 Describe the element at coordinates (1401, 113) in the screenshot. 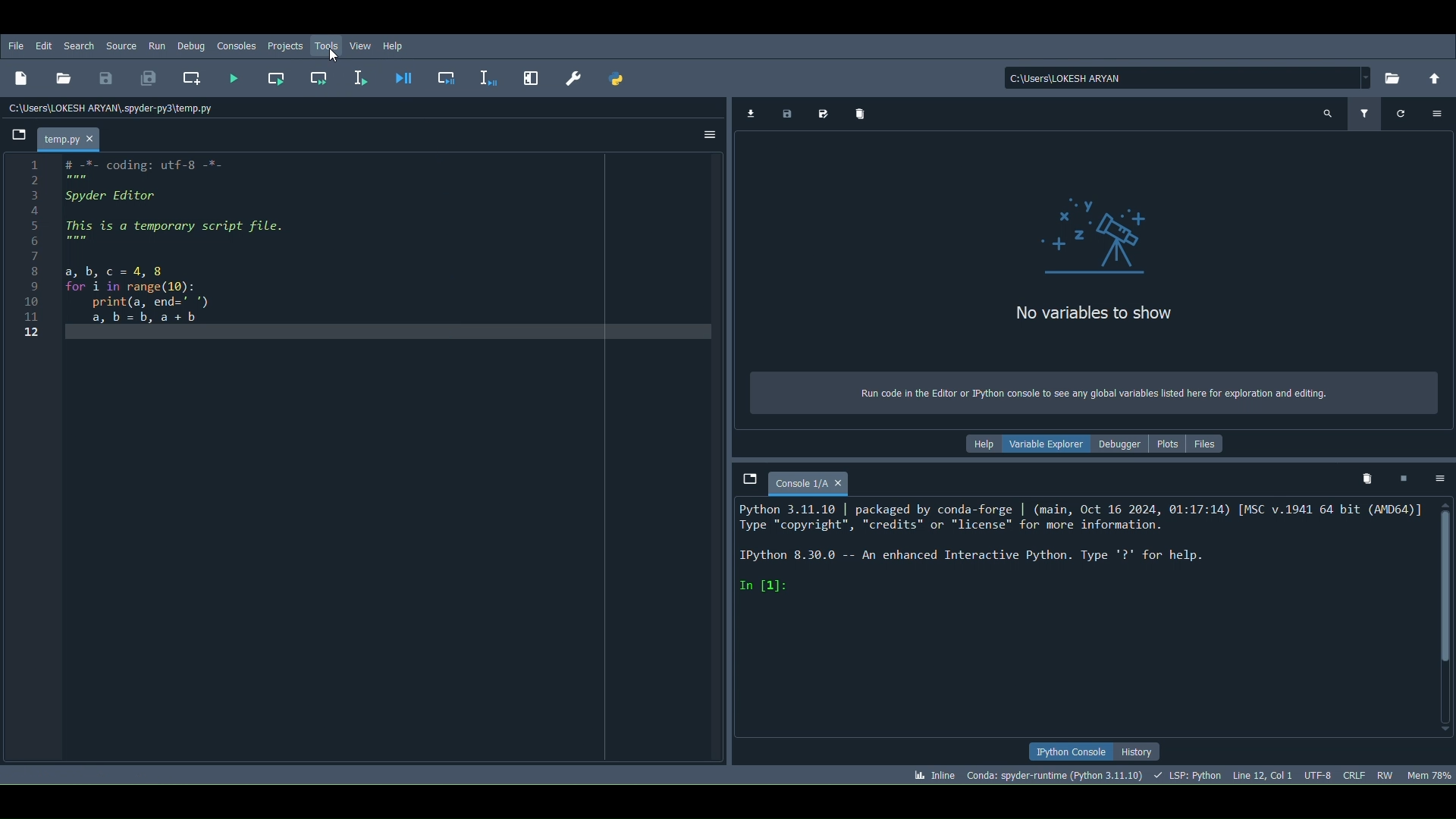

I see `Refresh variables (Ctrl + R)` at that location.